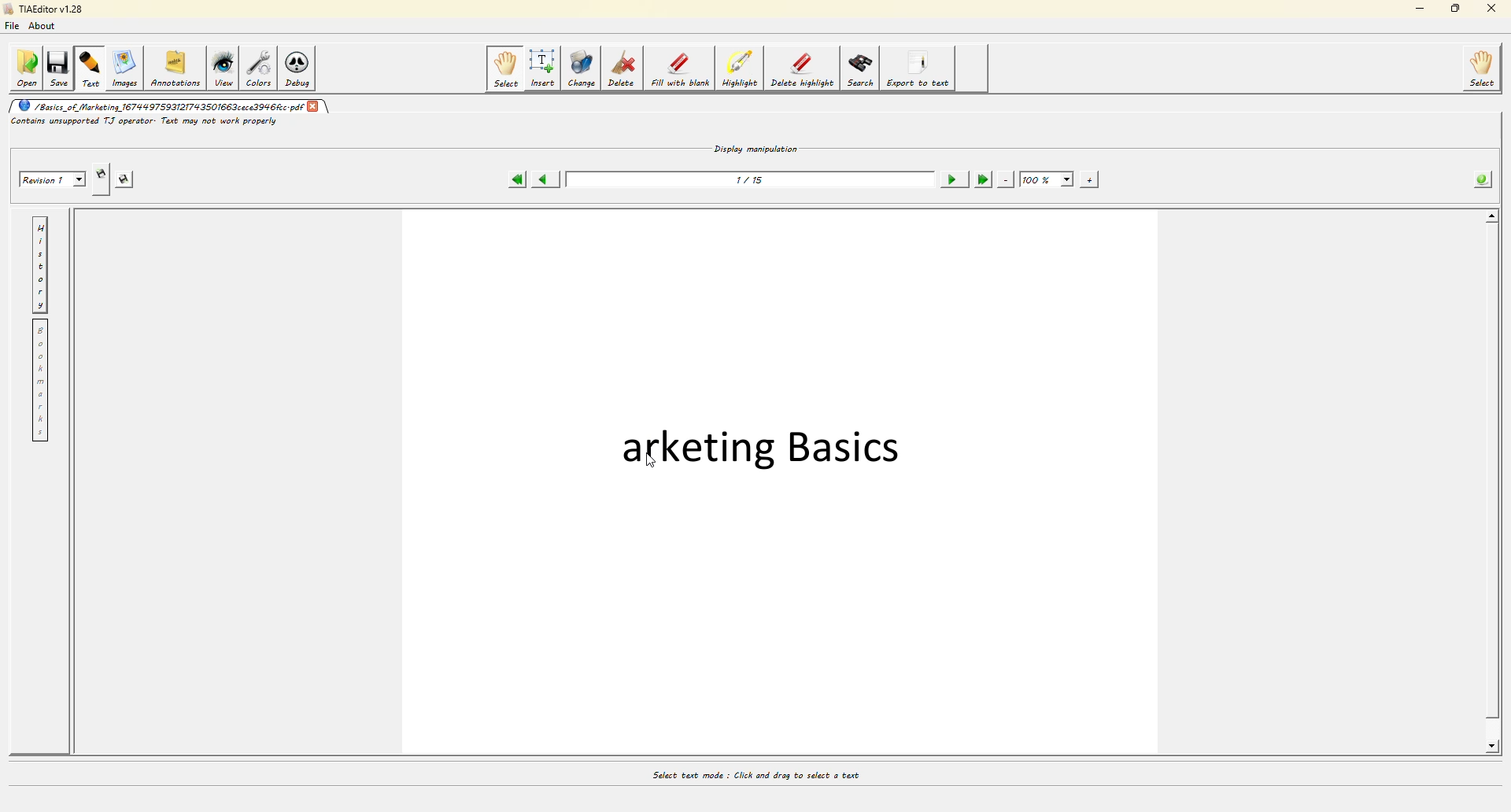 This screenshot has width=1511, height=812. What do you see at coordinates (740, 69) in the screenshot?
I see `highlight` at bounding box center [740, 69].